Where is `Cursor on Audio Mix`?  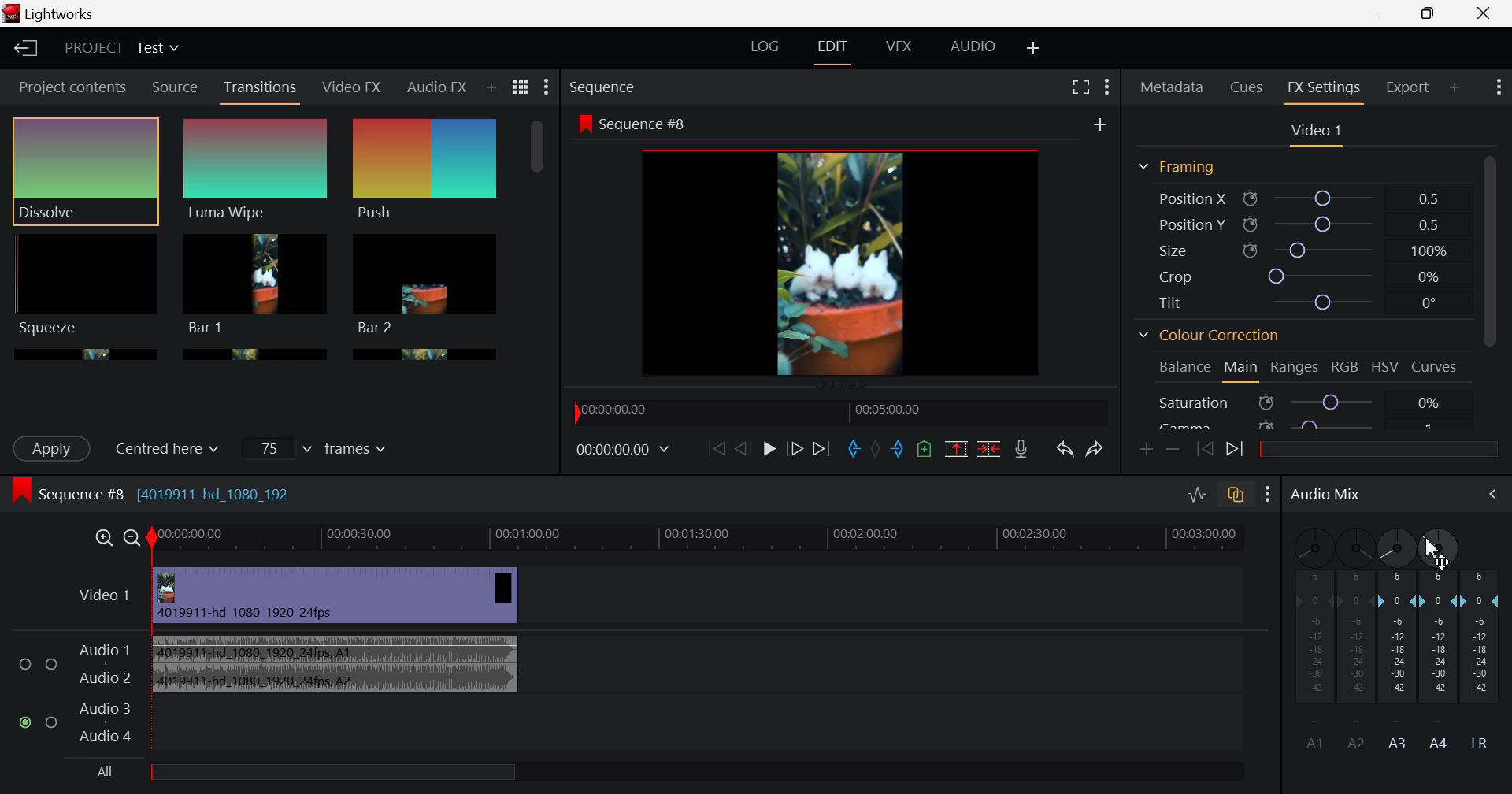 Cursor on Audio Mix is located at coordinates (1484, 495).